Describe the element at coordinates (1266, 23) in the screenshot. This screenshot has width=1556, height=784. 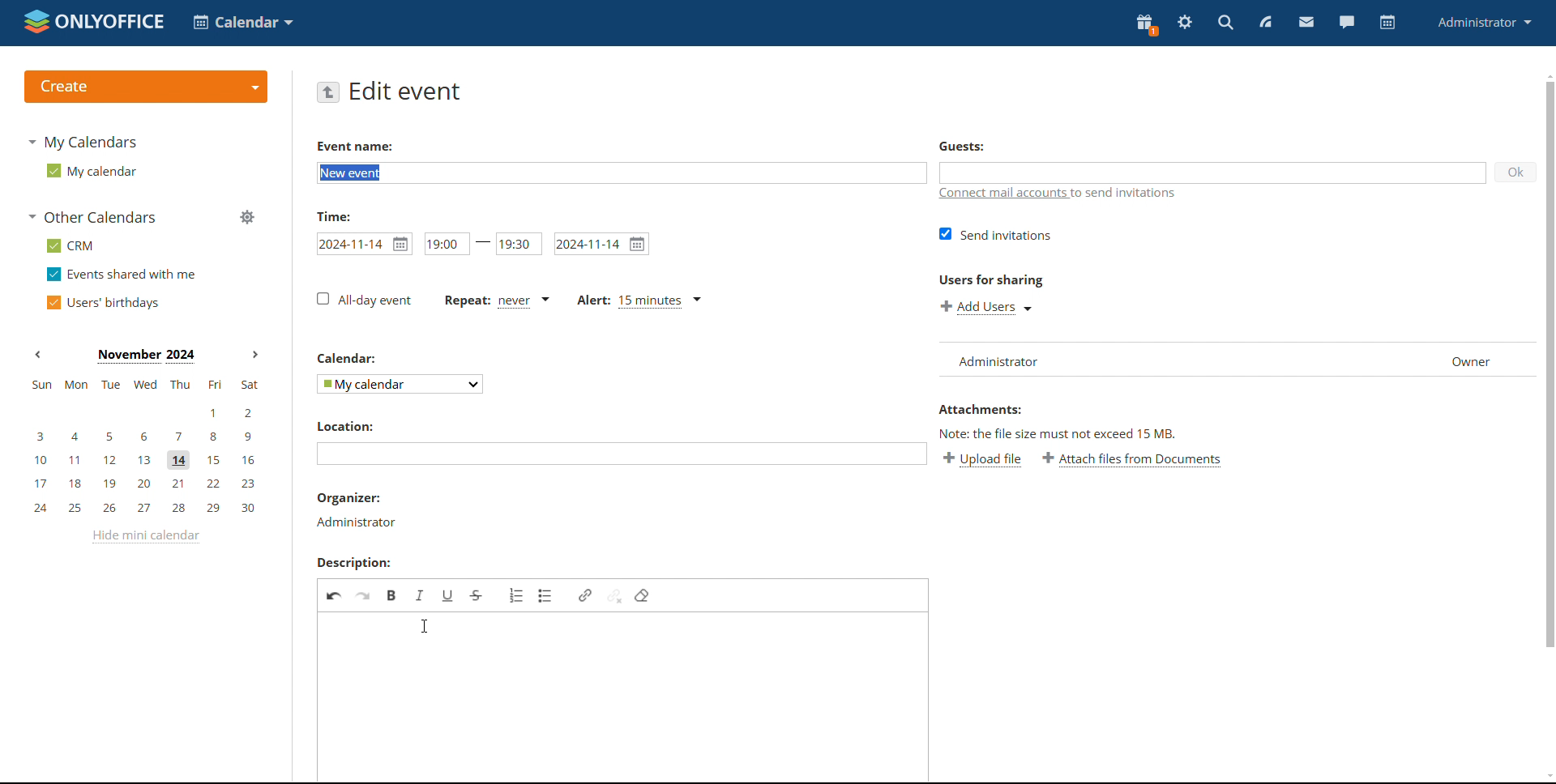
I see `feed` at that location.